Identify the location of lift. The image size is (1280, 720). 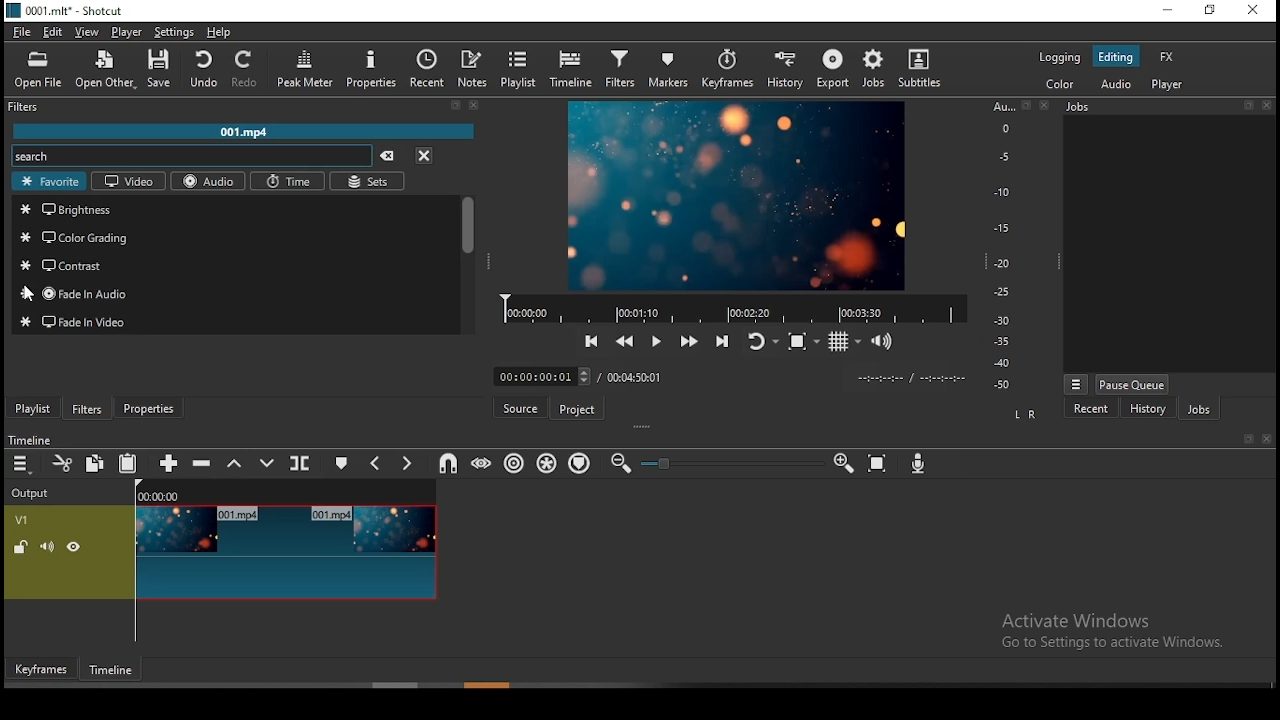
(237, 465).